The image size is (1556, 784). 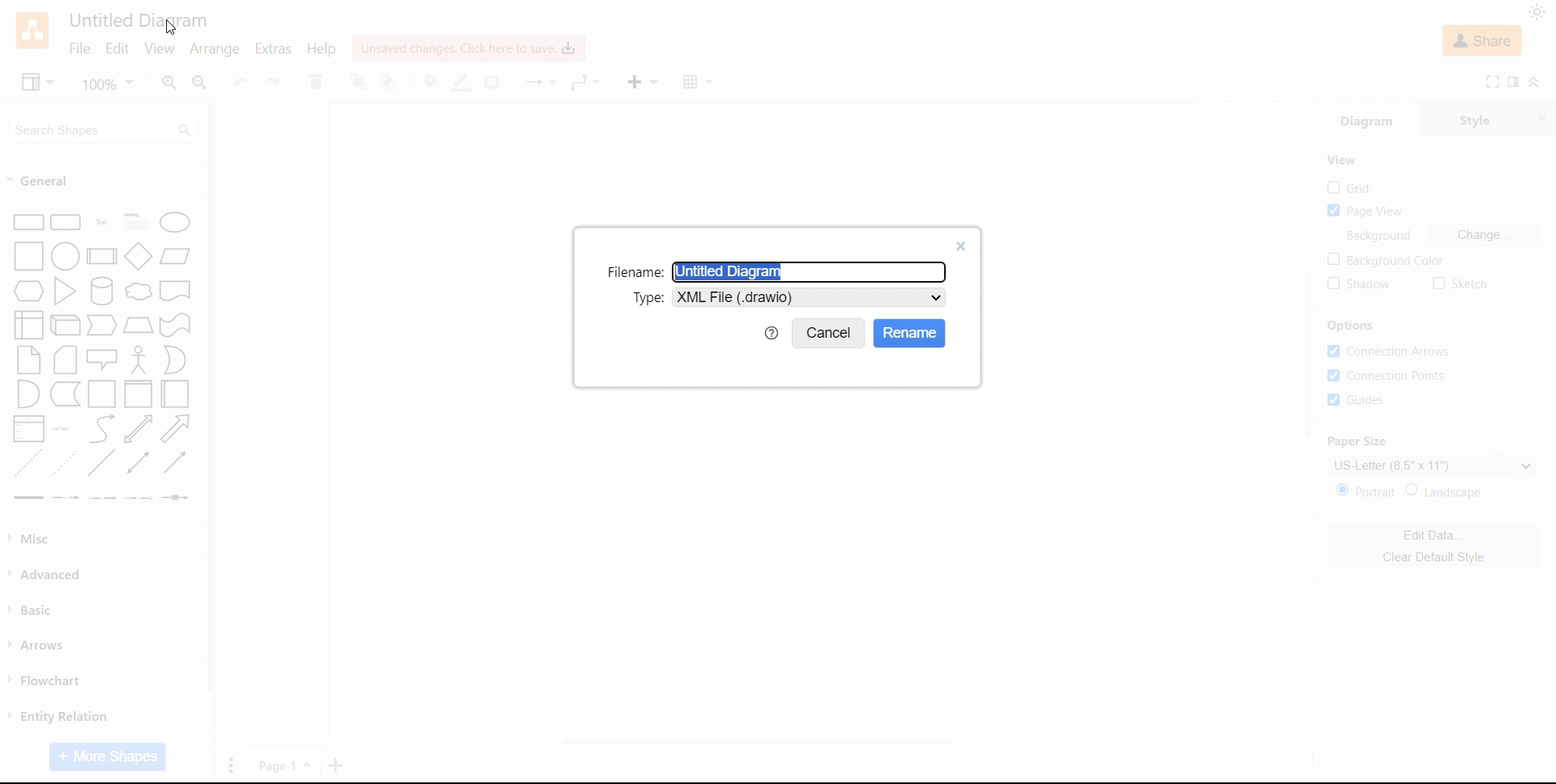 I want to click on Clear default style , so click(x=1433, y=556).